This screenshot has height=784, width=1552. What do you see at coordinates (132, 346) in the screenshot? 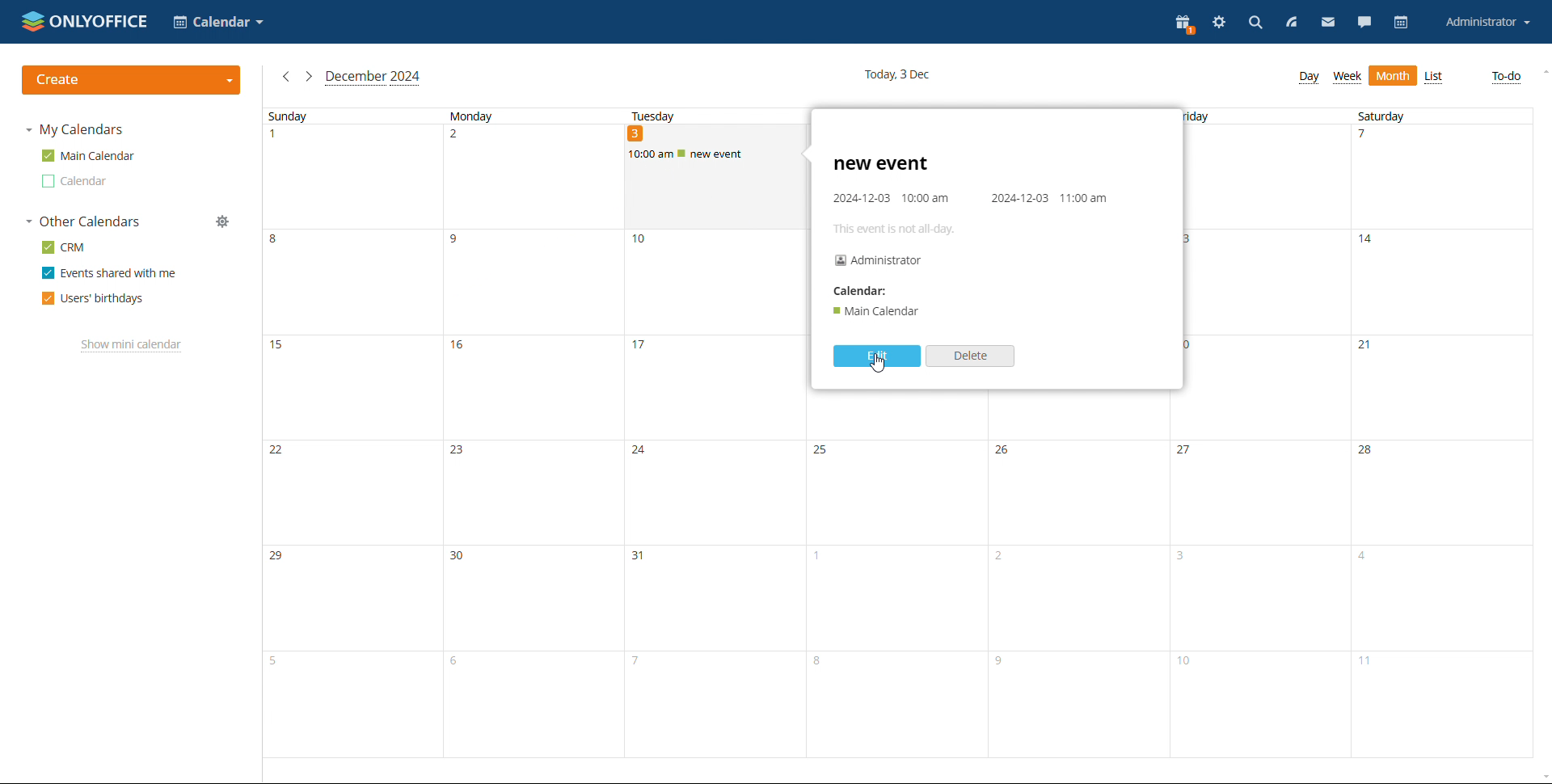
I see `show mini calendar` at bounding box center [132, 346].